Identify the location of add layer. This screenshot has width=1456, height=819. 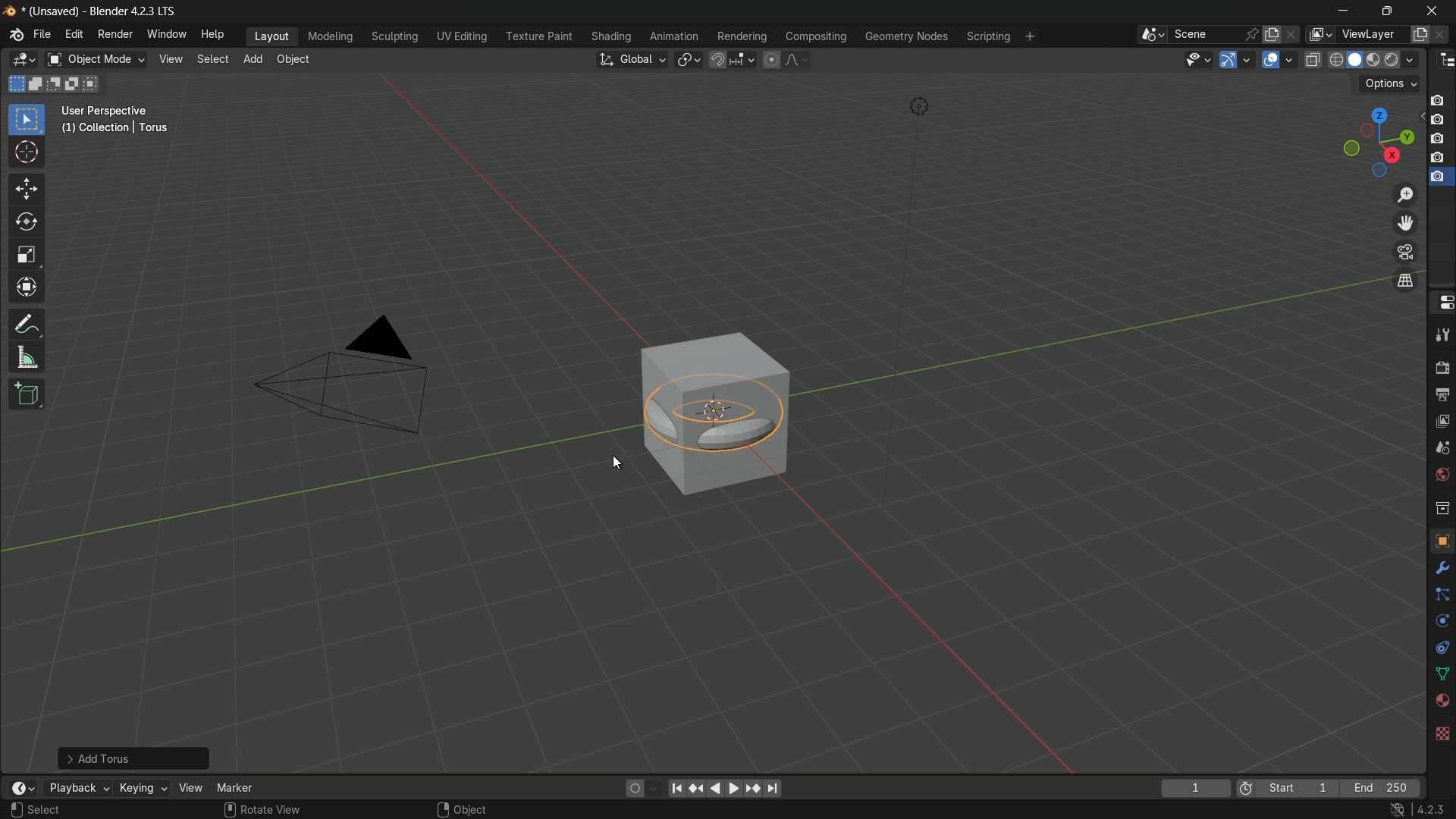
(1420, 35).